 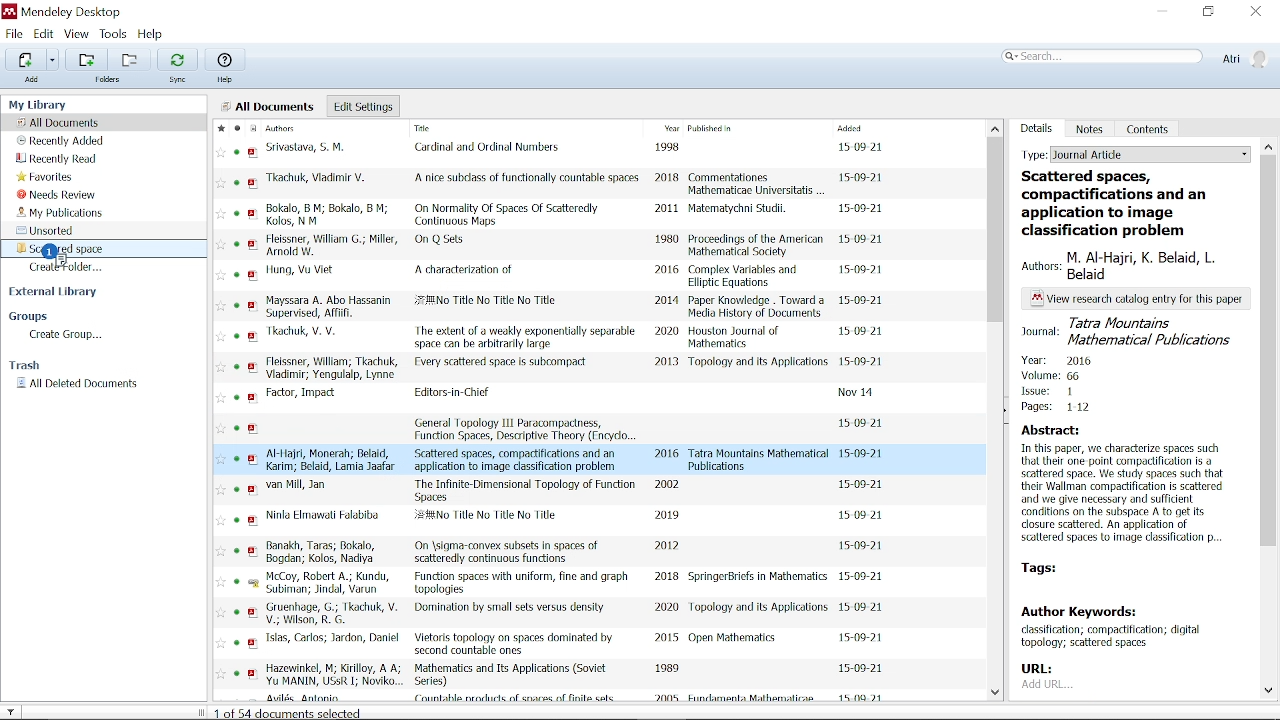 I want to click on authors, so click(x=324, y=515).